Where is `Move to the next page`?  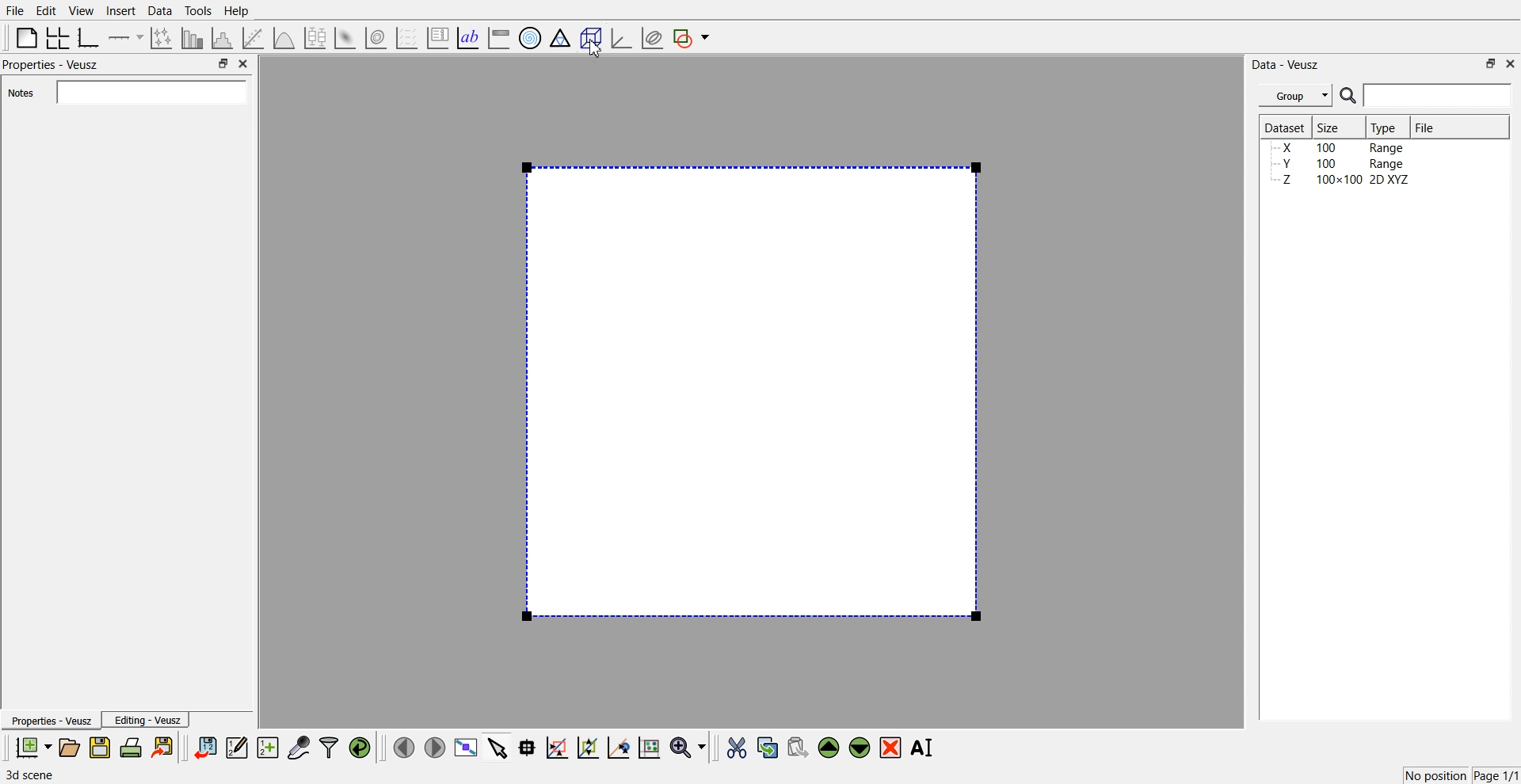 Move to the next page is located at coordinates (435, 746).